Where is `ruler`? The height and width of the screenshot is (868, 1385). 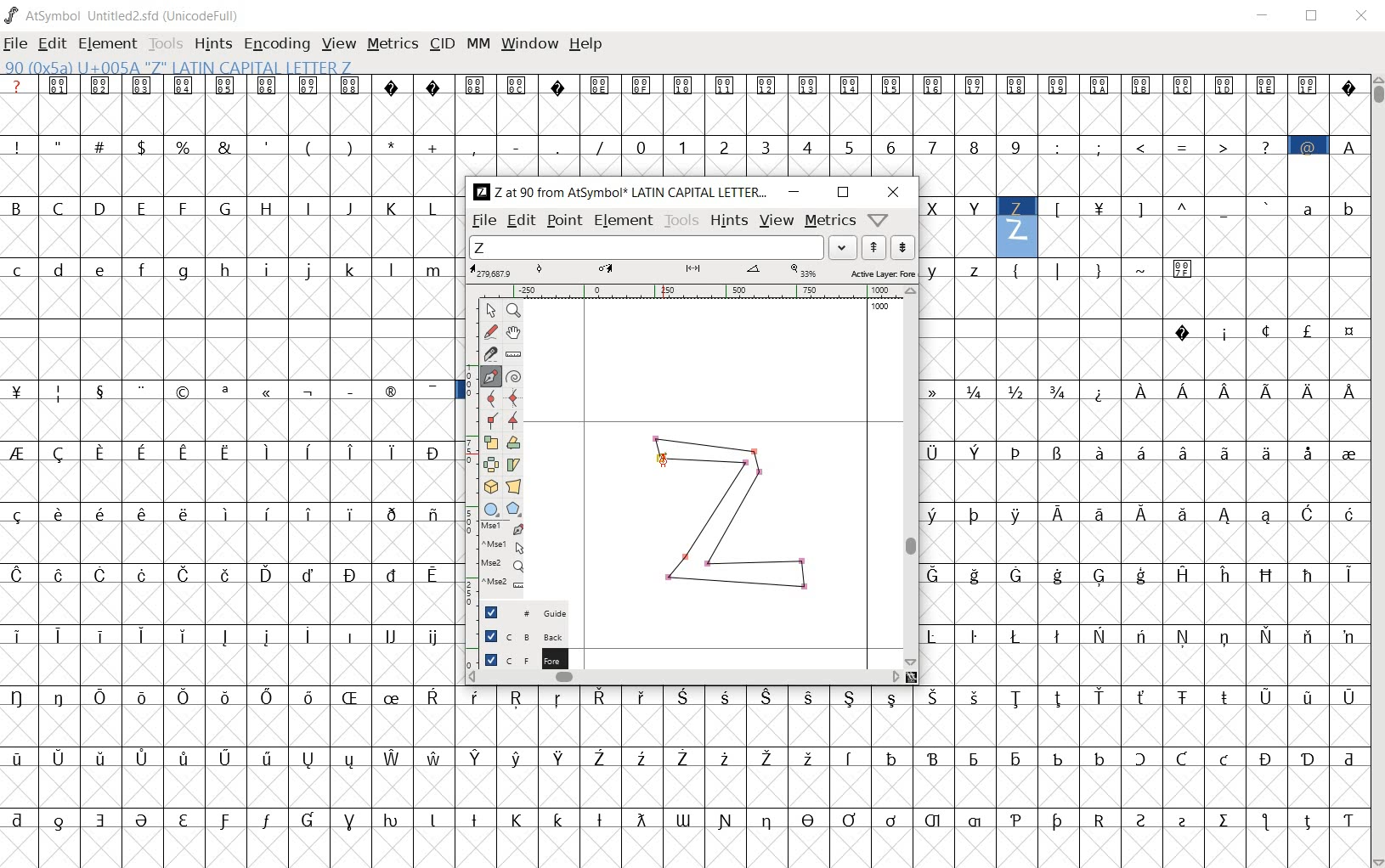
ruler is located at coordinates (704, 290).